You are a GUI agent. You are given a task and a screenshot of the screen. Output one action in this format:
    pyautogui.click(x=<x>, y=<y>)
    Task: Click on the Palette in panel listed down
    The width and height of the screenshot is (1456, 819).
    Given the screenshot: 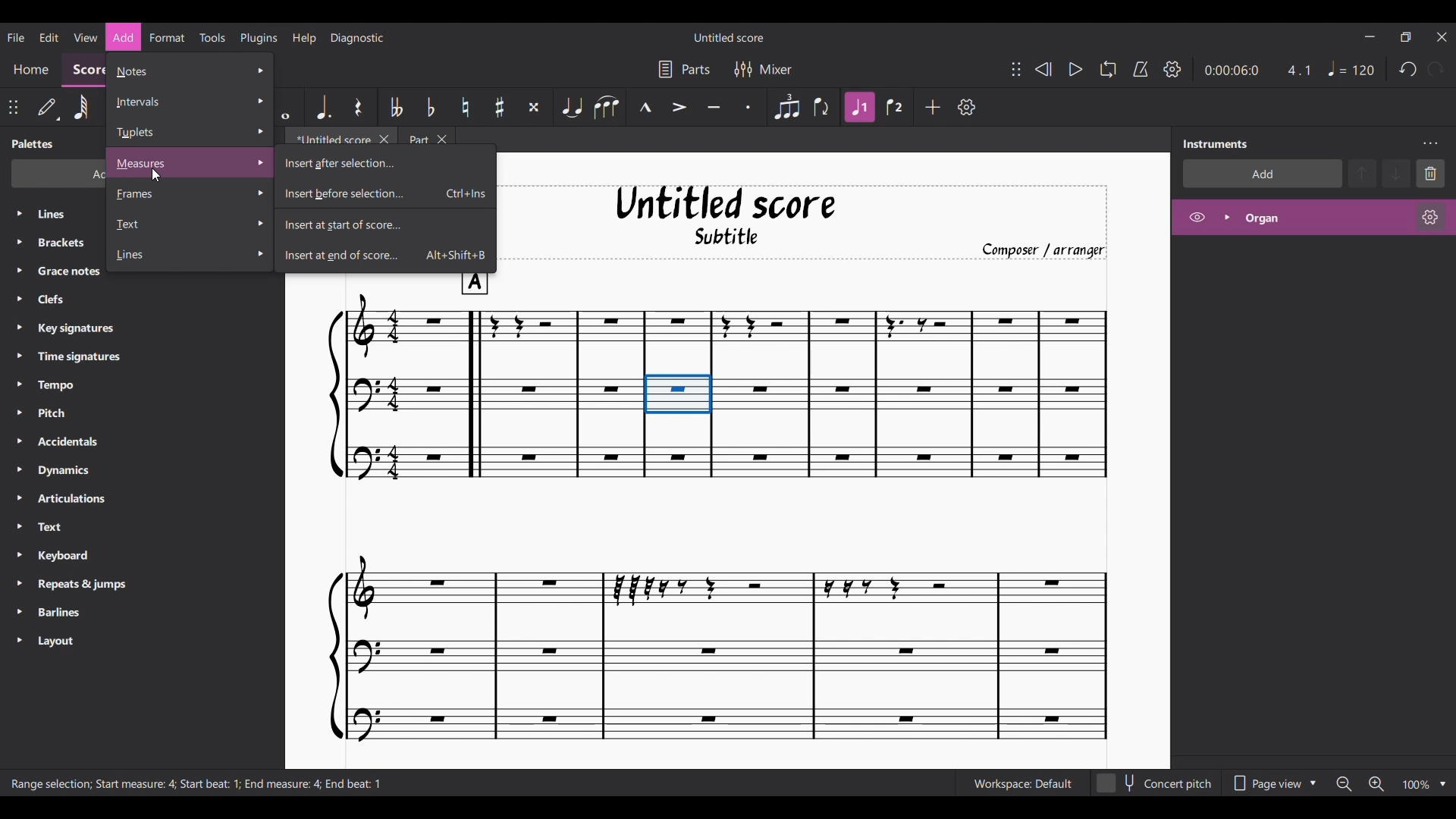 What is the action you would take?
    pyautogui.click(x=69, y=429)
    